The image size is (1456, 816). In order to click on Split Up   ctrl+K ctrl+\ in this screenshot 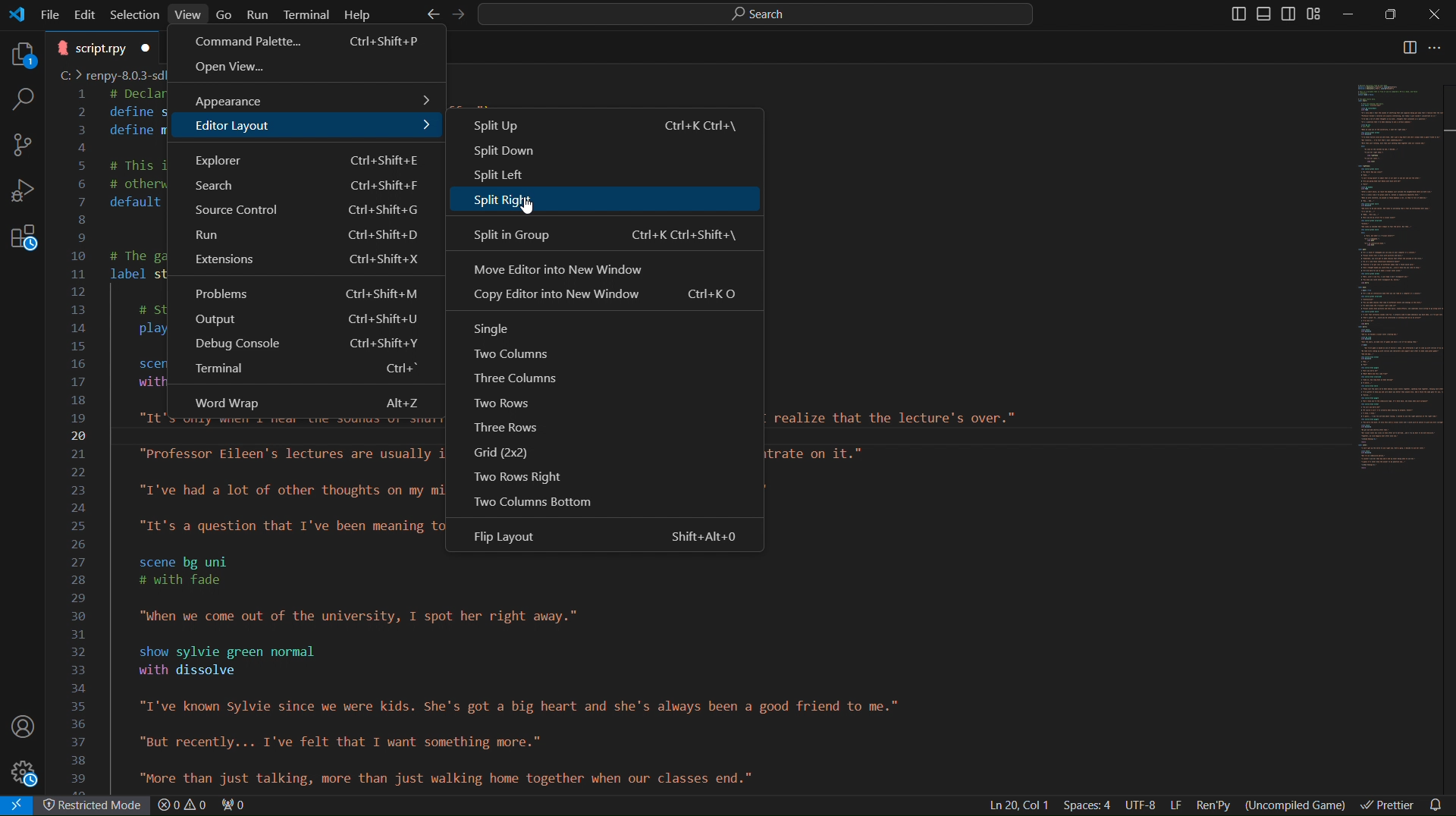, I will do `click(604, 124)`.